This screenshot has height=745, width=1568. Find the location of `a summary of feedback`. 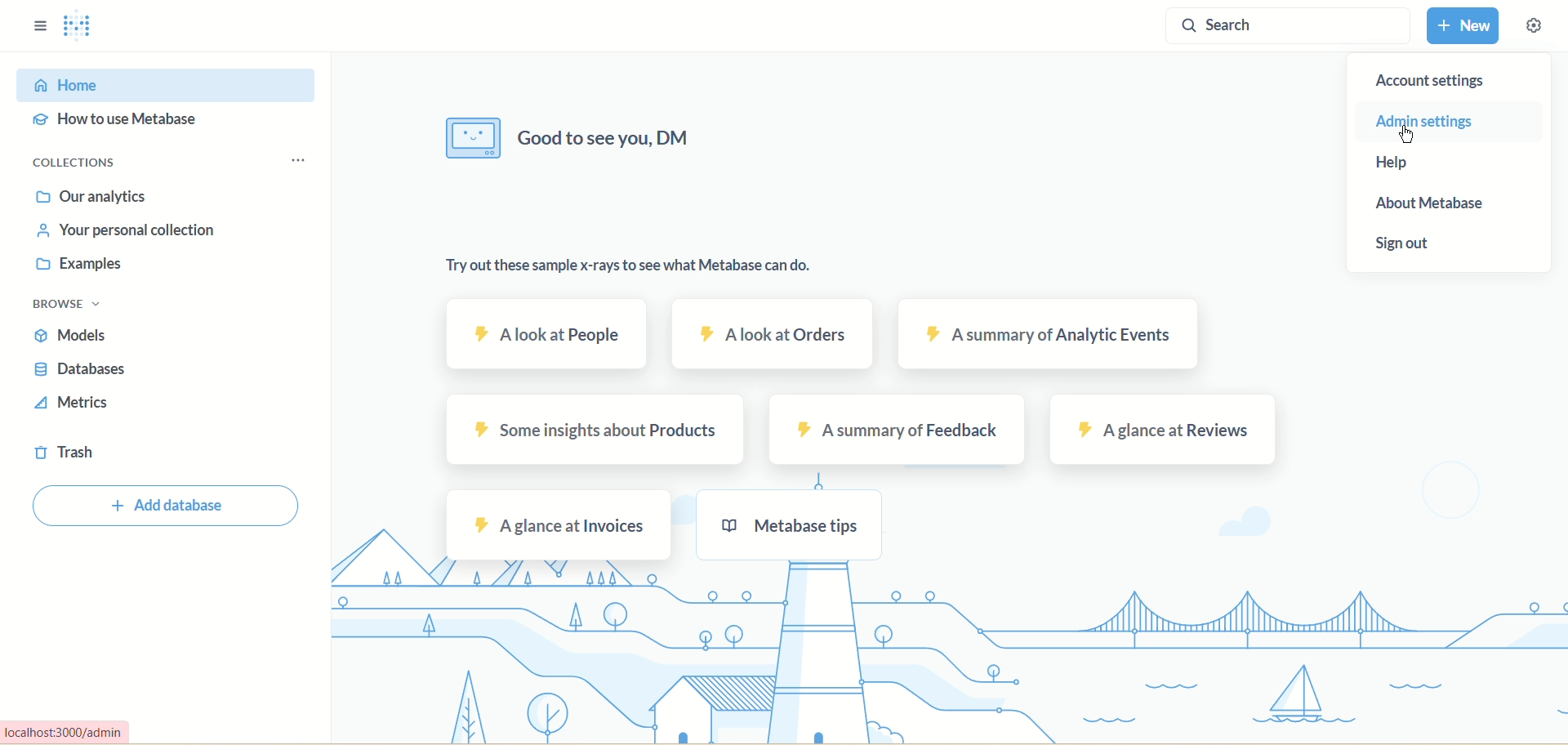

a summary of feedback is located at coordinates (893, 431).